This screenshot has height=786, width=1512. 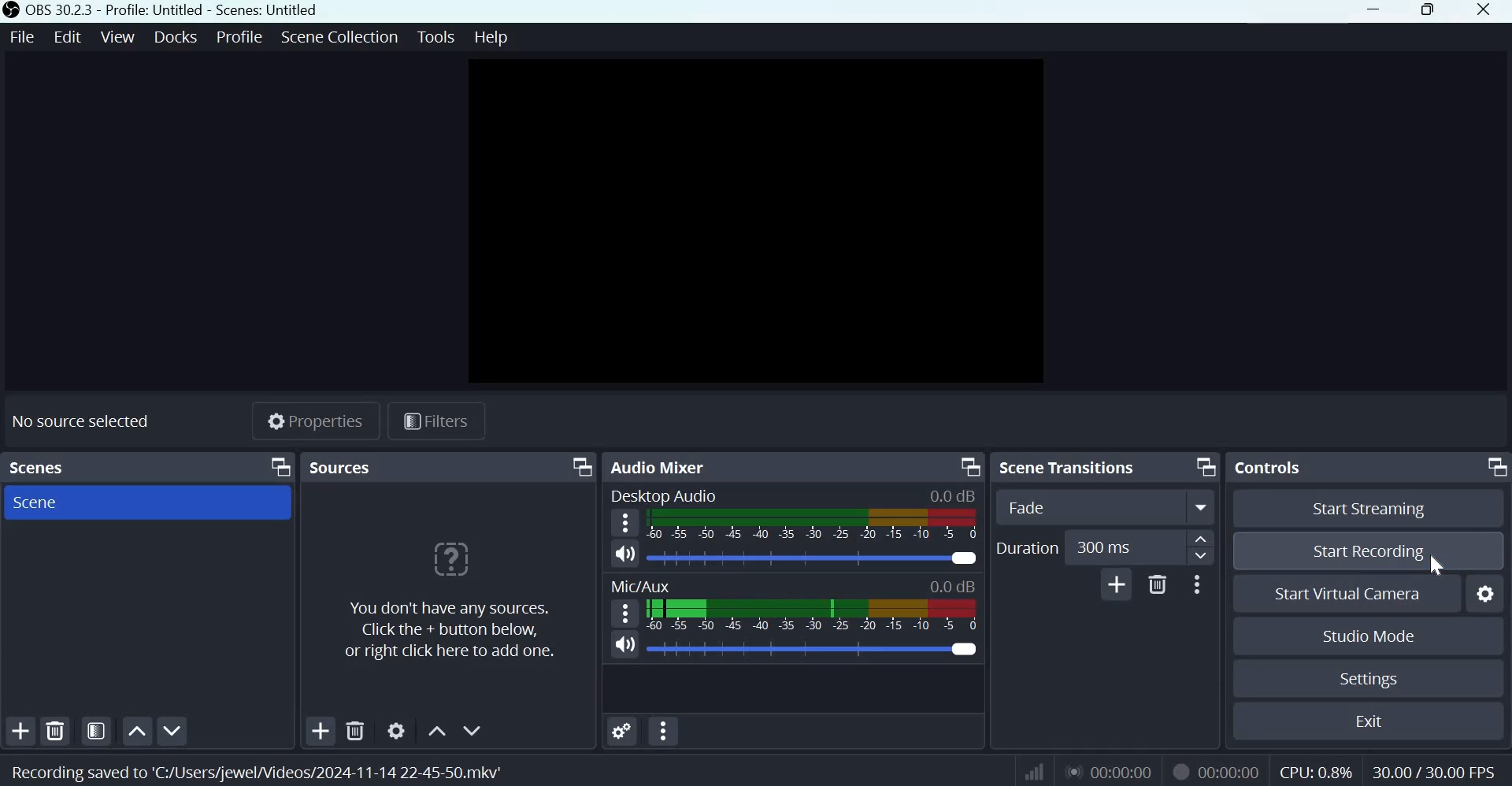 I want to click on Start streaming, so click(x=1366, y=509).